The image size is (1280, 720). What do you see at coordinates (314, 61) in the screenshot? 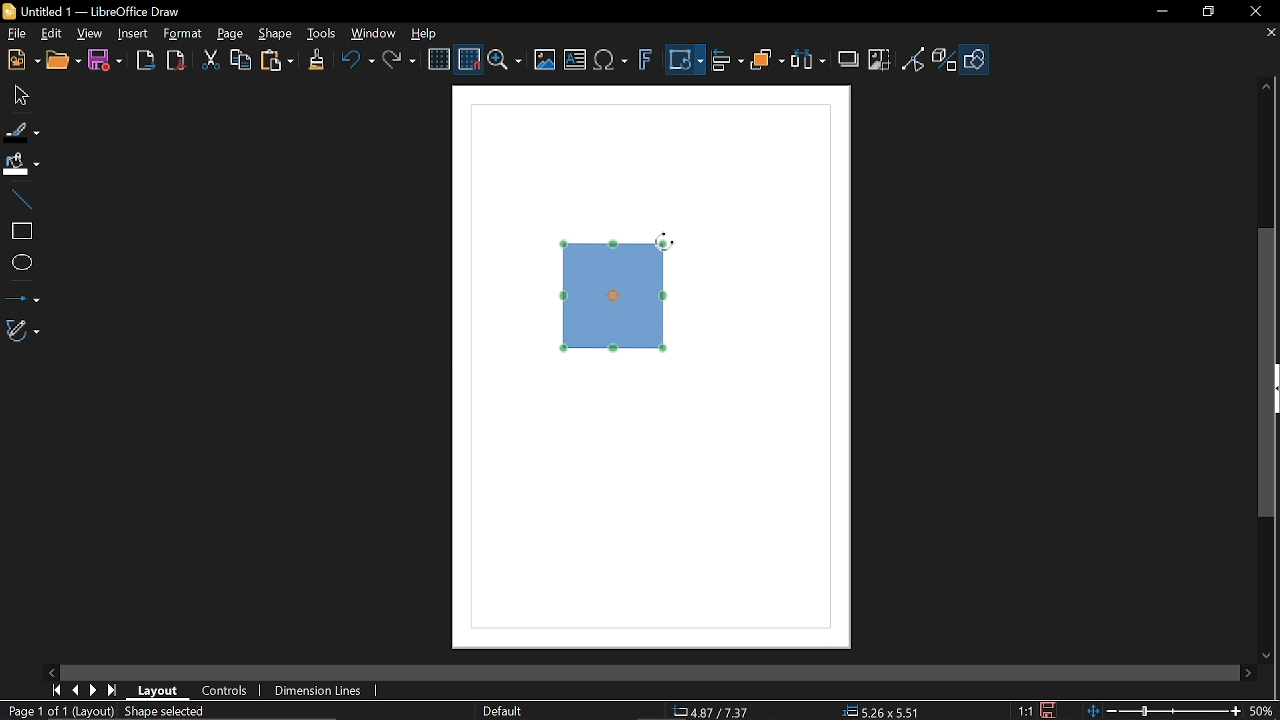
I see `Clone` at bounding box center [314, 61].